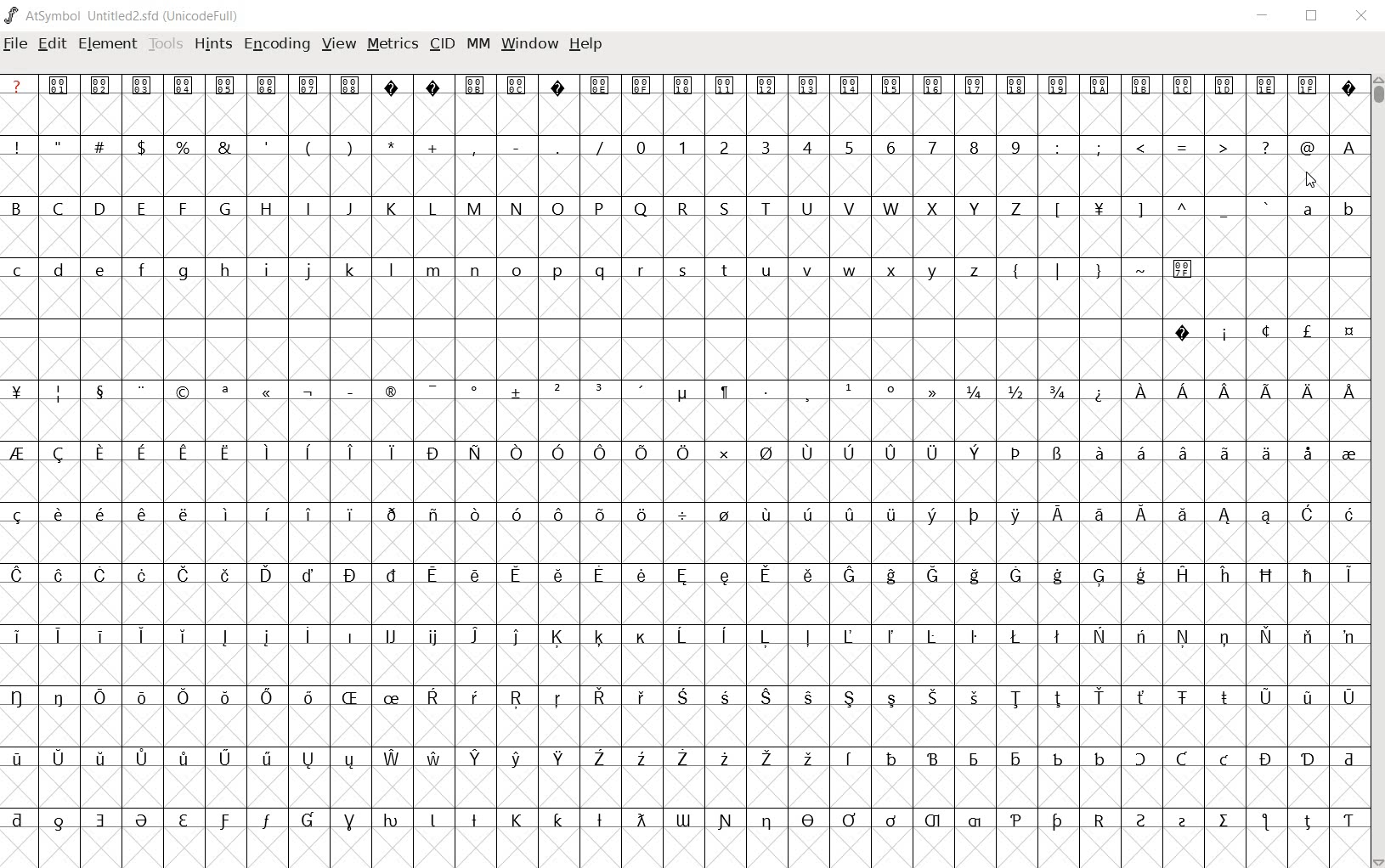 The width and height of the screenshot is (1385, 868). I want to click on VIEW, so click(339, 47).